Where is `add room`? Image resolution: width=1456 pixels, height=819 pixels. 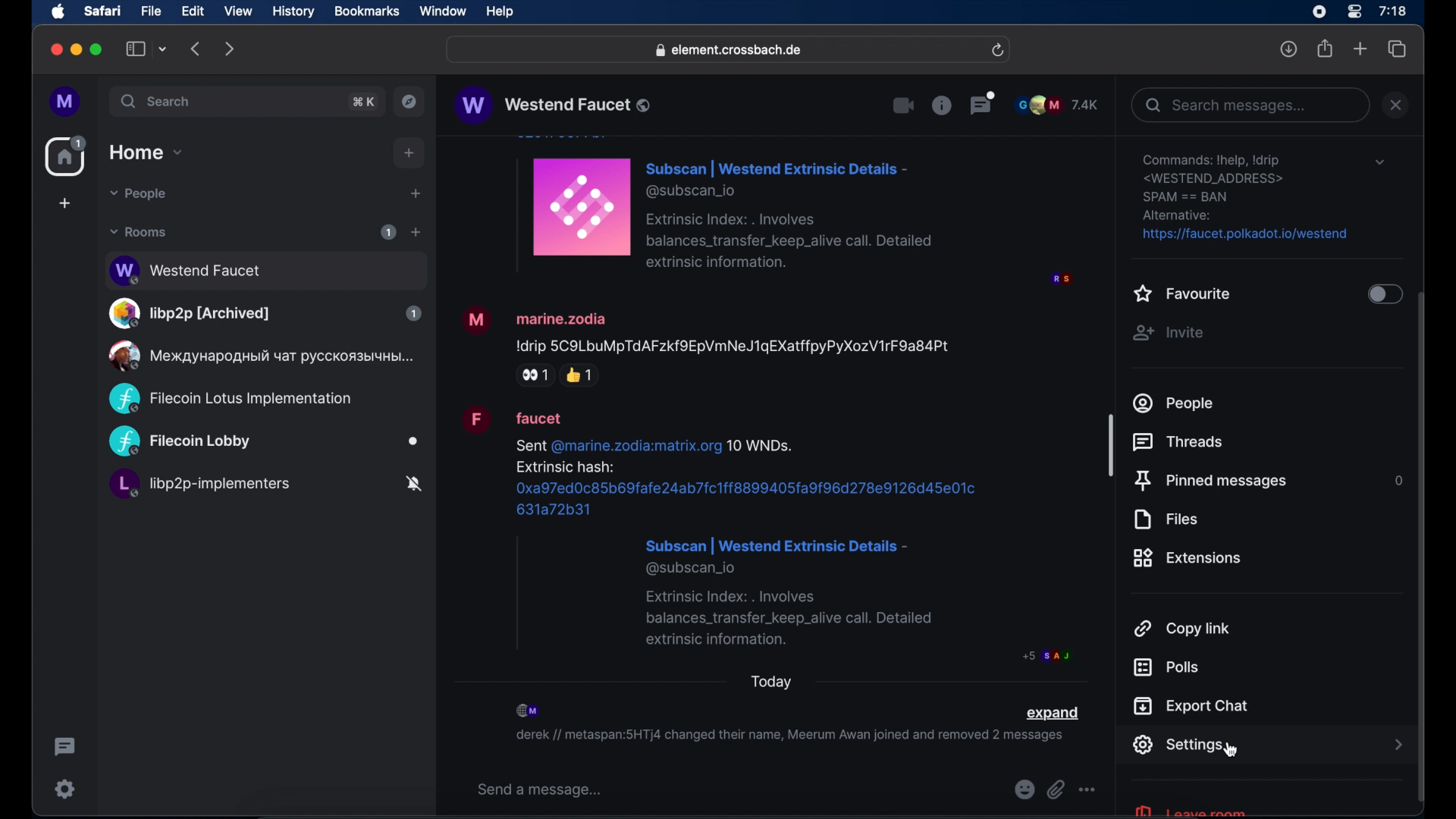 add room is located at coordinates (416, 232).